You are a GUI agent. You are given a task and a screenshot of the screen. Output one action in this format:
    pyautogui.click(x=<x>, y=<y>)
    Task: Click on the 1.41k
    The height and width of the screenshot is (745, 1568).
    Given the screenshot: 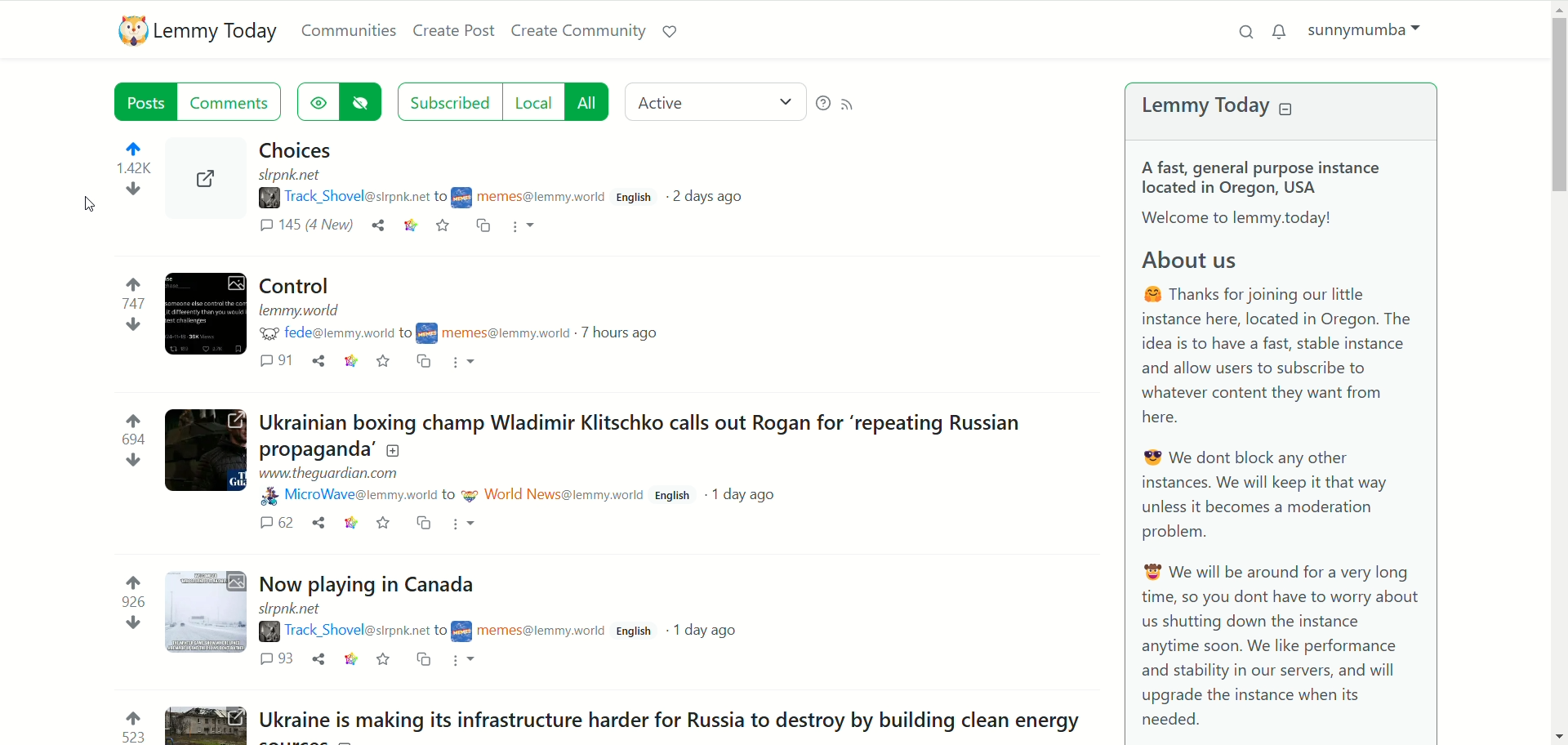 What is the action you would take?
    pyautogui.click(x=131, y=169)
    